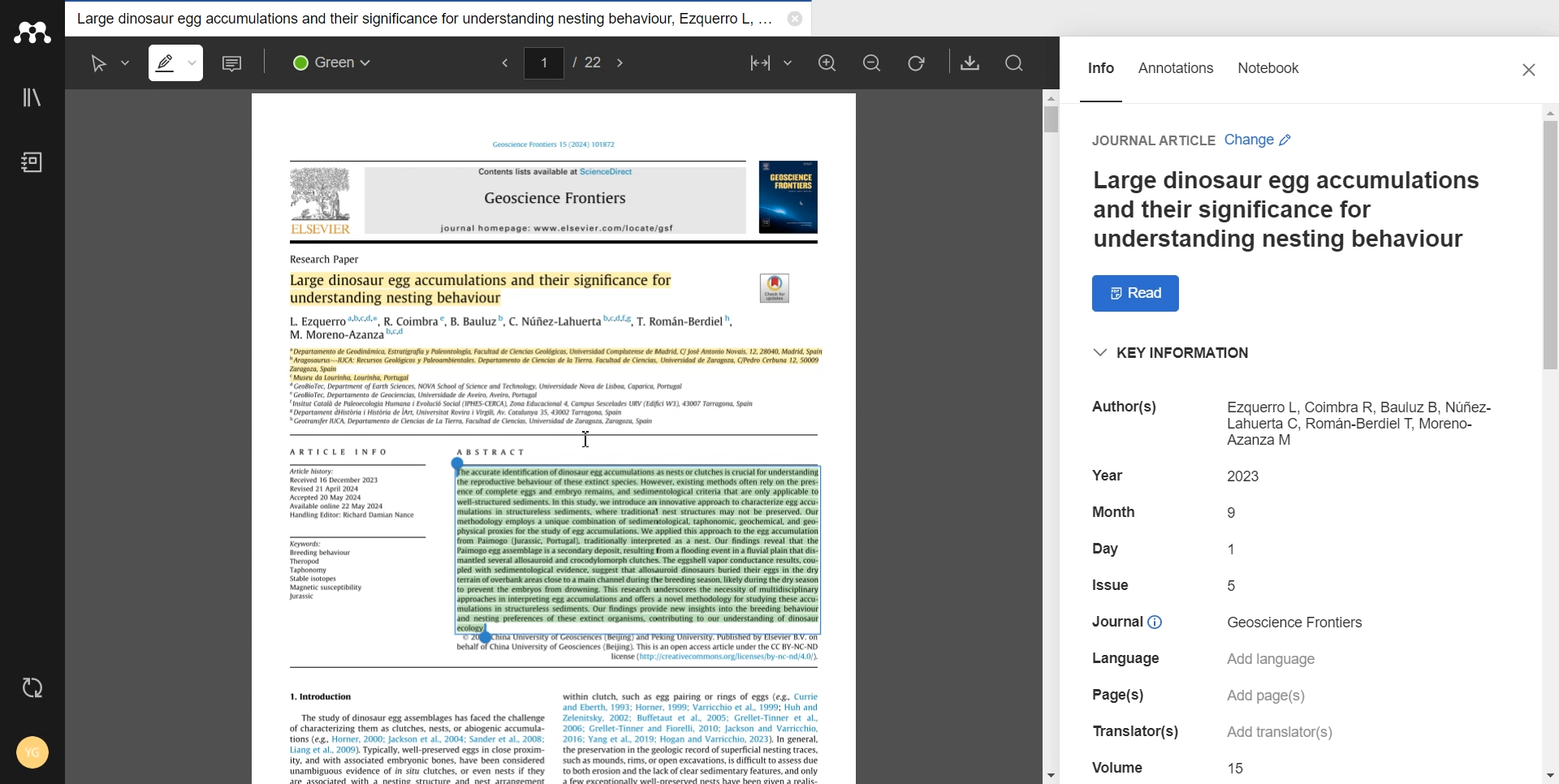  Describe the element at coordinates (829, 62) in the screenshot. I see `Zoom in` at that location.